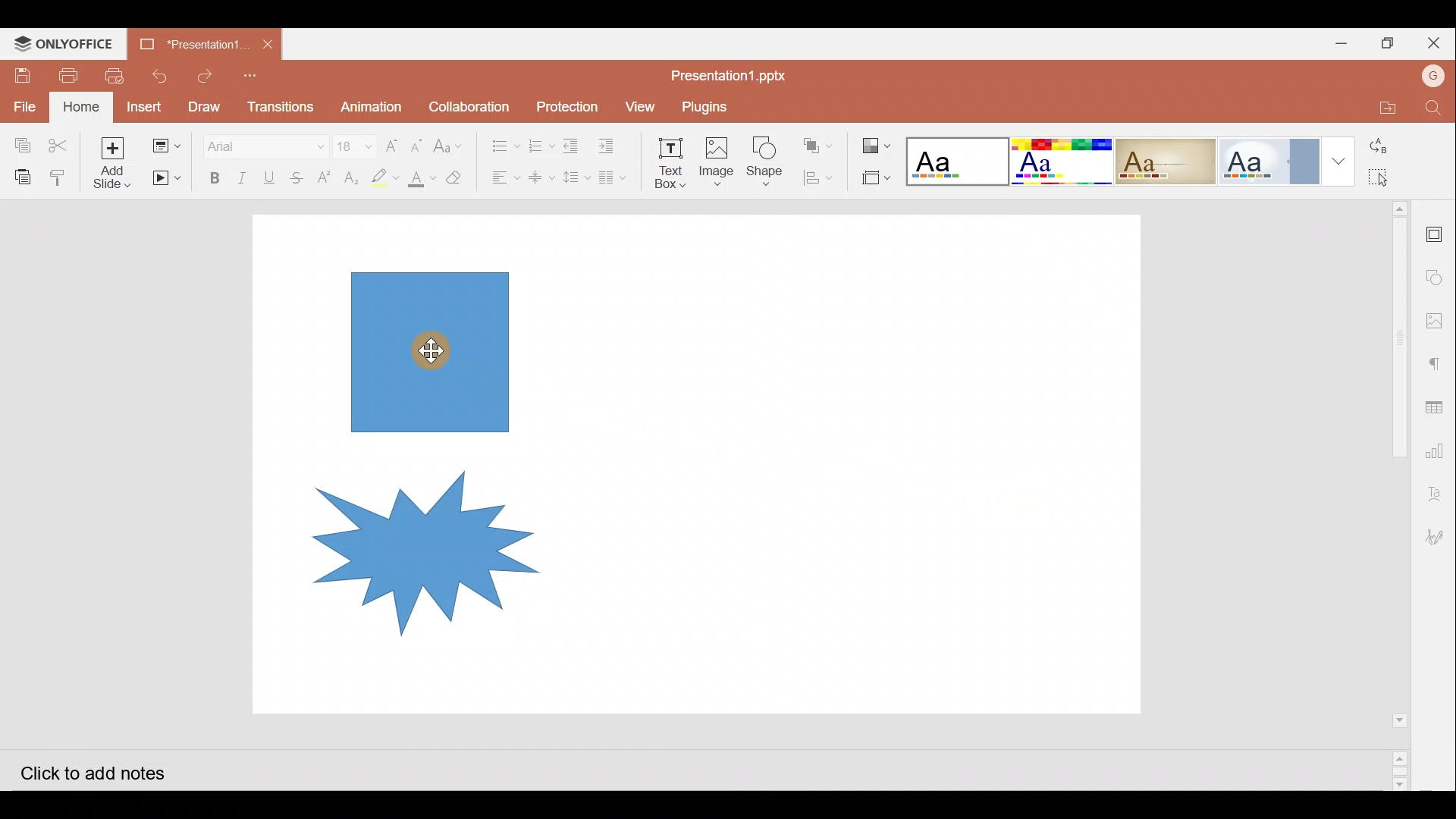 The height and width of the screenshot is (819, 1456). Describe the element at coordinates (271, 45) in the screenshot. I see `Close document` at that location.